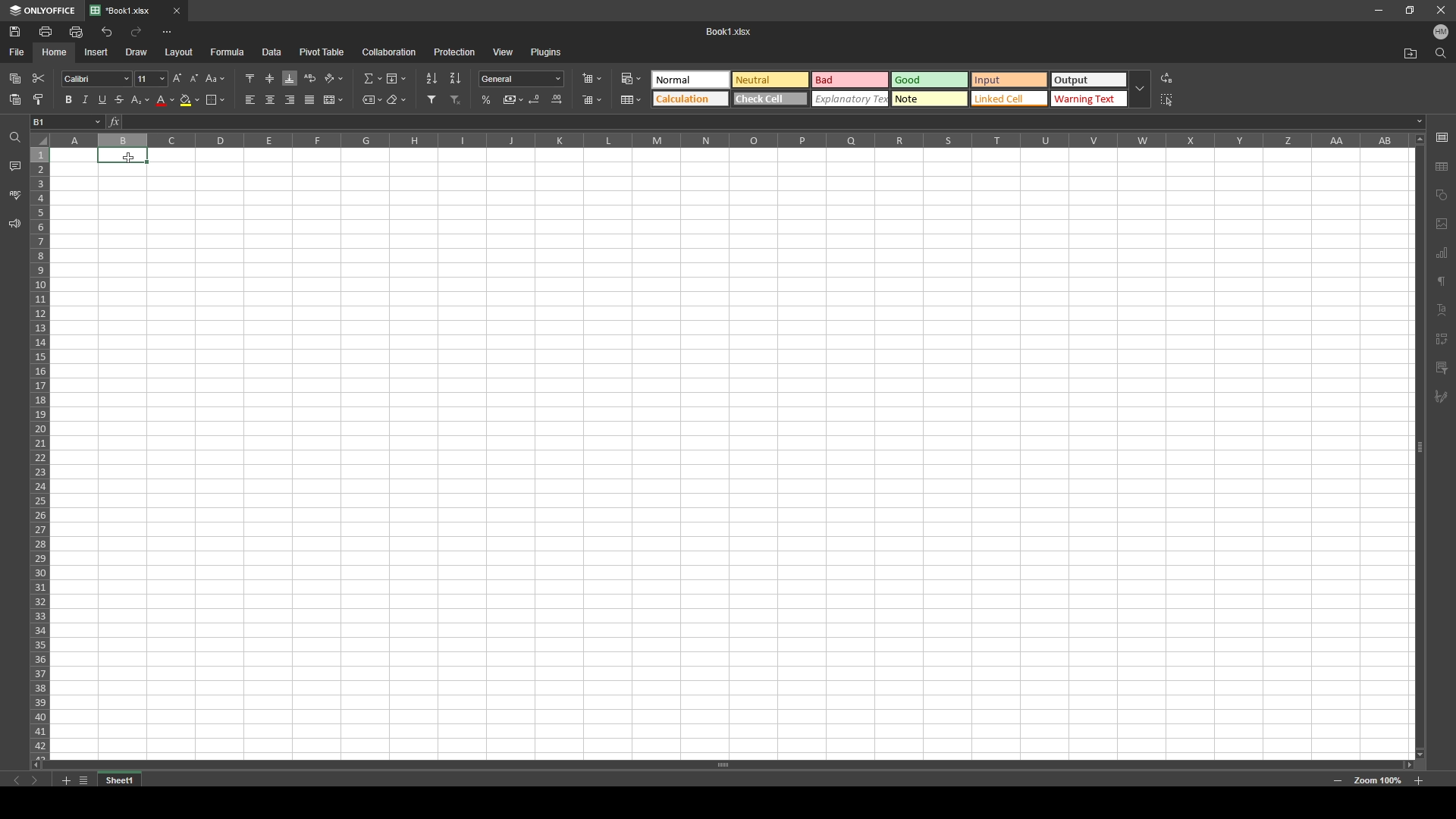 The height and width of the screenshot is (819, 1456). I want to click on wrap text, so click(311, 77).